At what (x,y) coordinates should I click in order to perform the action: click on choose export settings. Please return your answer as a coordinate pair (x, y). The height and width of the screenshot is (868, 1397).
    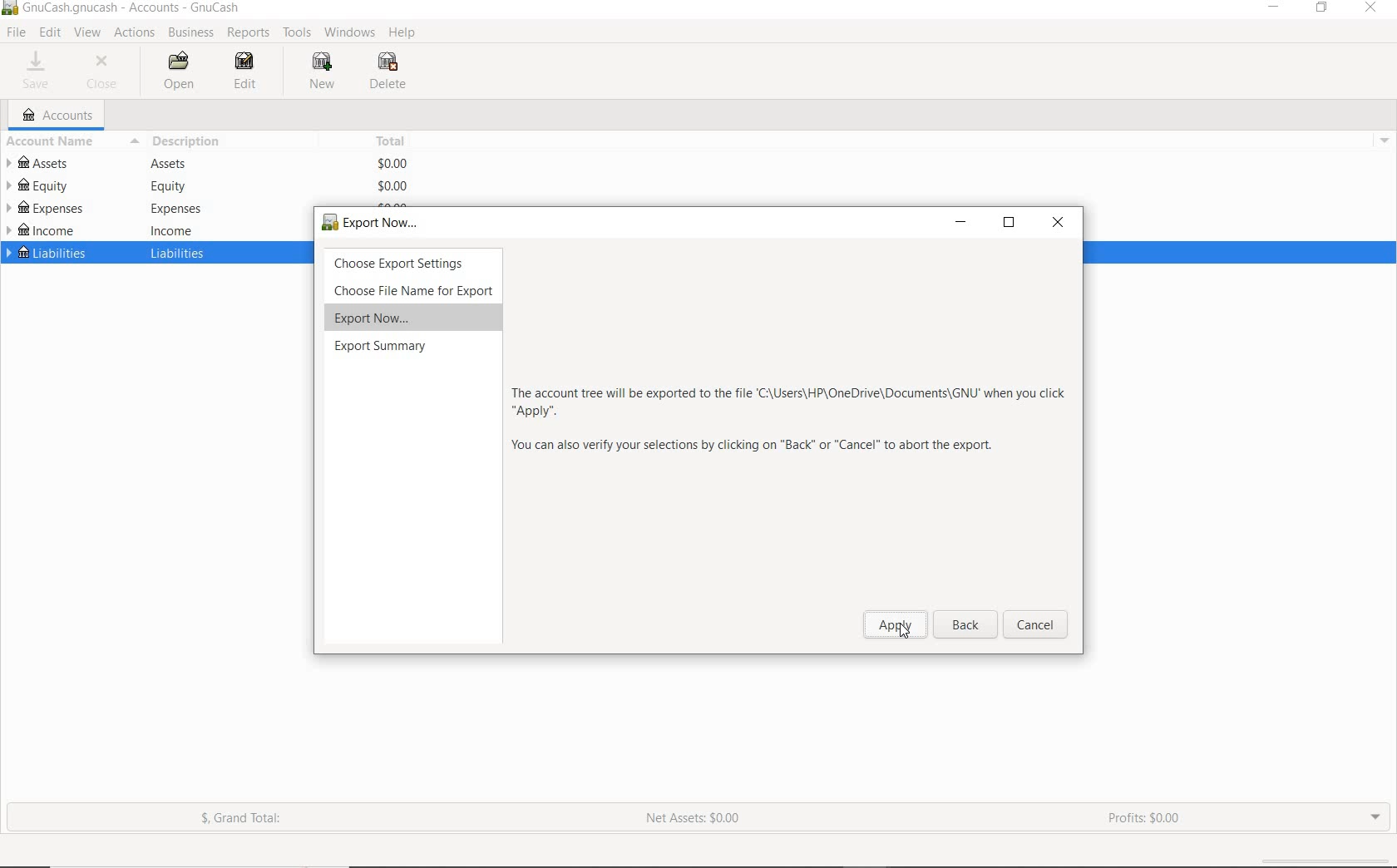
    Looking at the image, I should click on (412, 264).